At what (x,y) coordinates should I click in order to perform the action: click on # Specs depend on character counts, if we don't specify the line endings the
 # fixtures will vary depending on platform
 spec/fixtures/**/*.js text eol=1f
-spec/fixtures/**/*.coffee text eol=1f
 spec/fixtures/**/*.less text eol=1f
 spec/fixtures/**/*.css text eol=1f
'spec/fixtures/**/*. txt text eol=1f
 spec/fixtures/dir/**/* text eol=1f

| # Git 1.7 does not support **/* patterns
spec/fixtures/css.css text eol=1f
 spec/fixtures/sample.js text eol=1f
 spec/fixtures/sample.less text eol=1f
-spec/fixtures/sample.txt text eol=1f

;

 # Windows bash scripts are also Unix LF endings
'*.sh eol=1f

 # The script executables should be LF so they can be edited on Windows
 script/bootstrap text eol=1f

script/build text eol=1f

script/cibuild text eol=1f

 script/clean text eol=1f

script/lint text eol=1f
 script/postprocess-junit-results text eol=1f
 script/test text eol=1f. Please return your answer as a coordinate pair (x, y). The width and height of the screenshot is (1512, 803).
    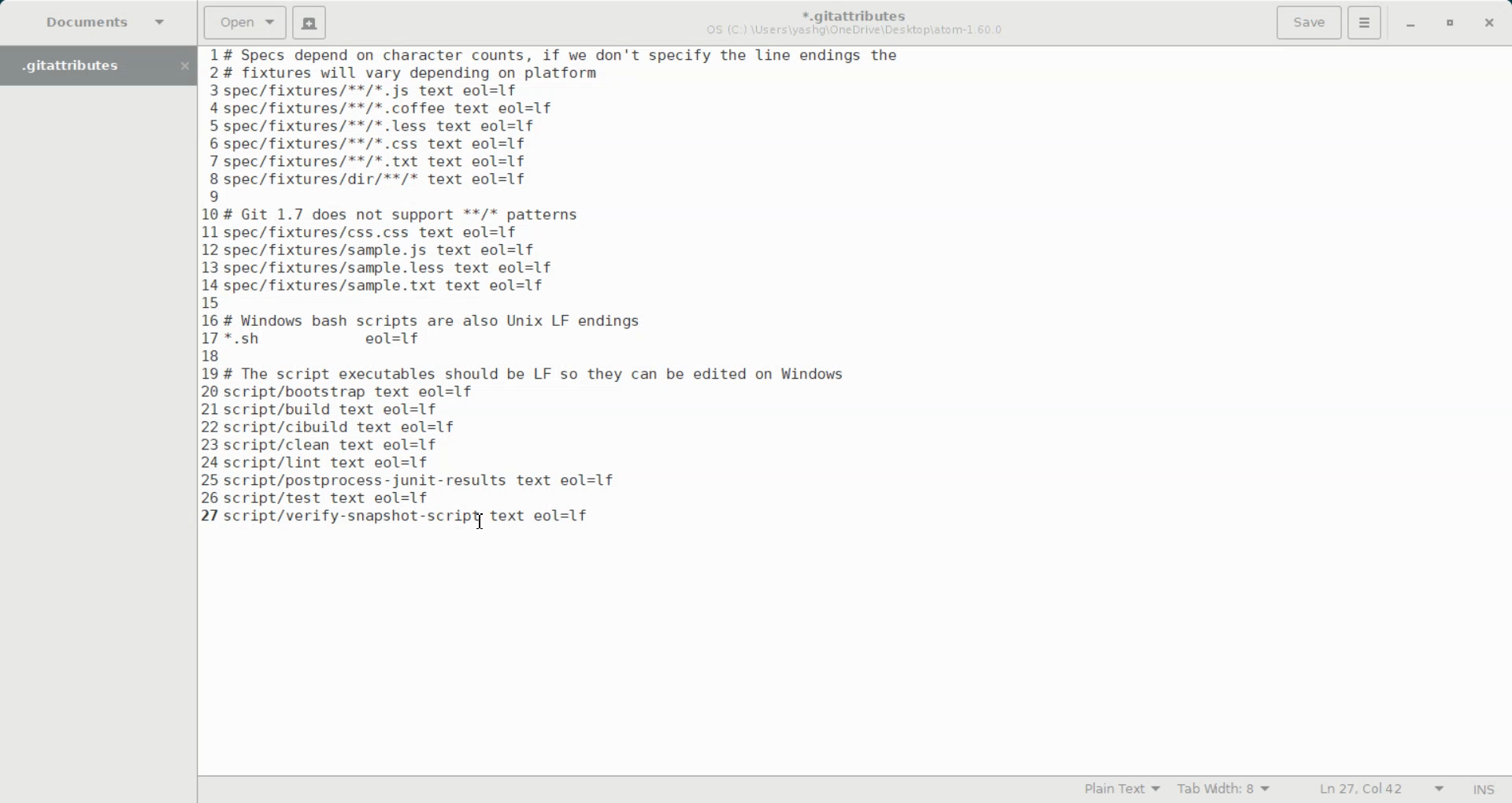
    Looking at the image, I should click on (576, 276).